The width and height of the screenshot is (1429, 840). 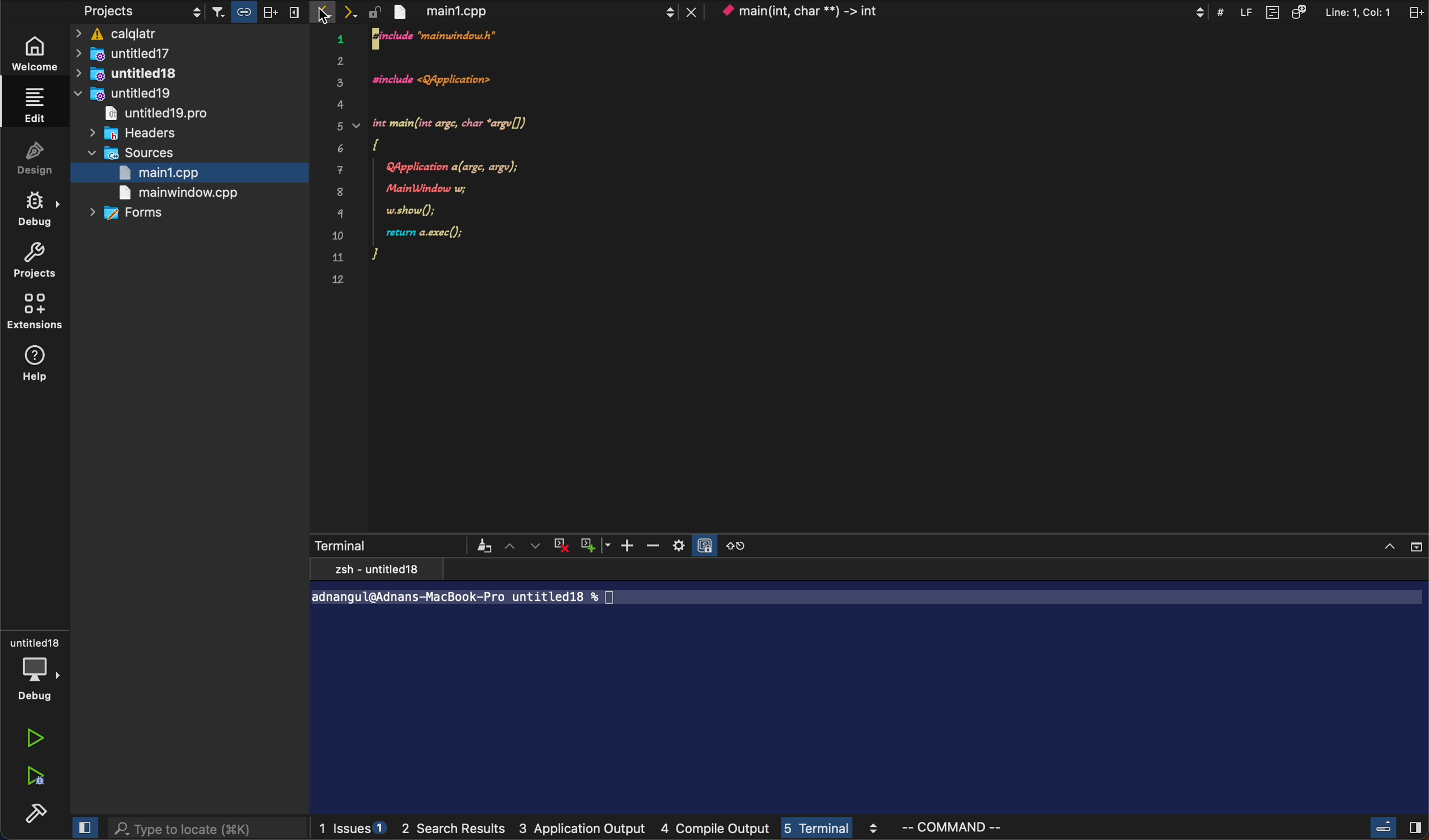 I want to click on build, so click(x=33, y=816).